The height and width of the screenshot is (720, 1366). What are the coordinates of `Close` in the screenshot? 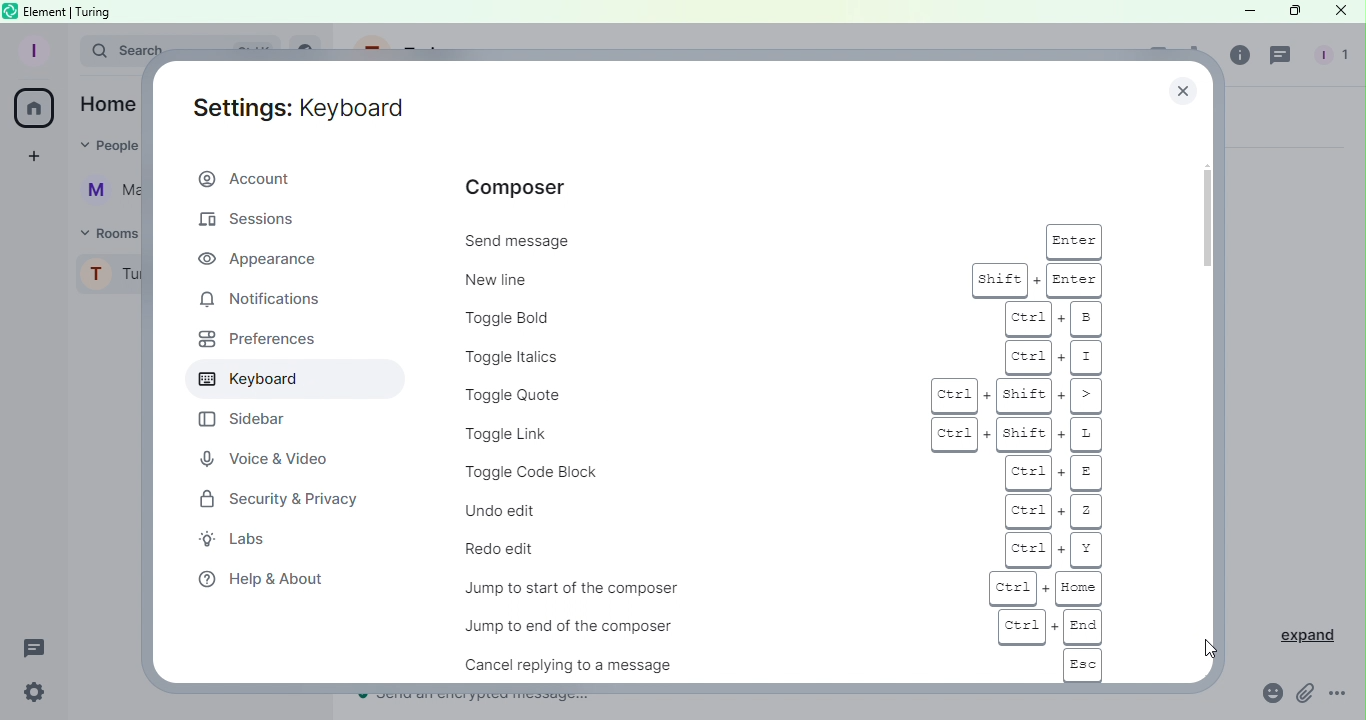 It's located at (1338, 13).